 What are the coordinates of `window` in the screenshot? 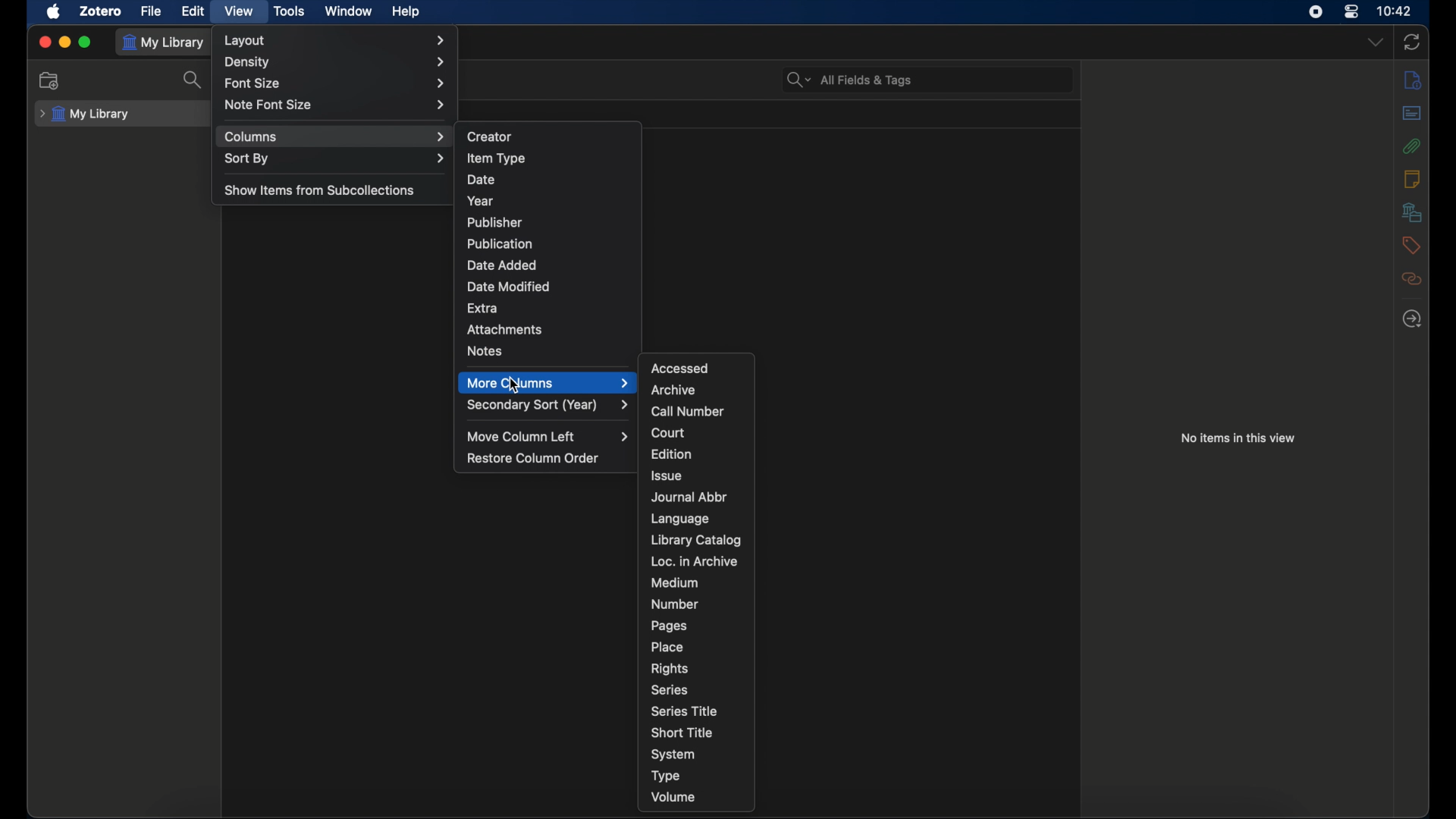 It's located at (347, 11).